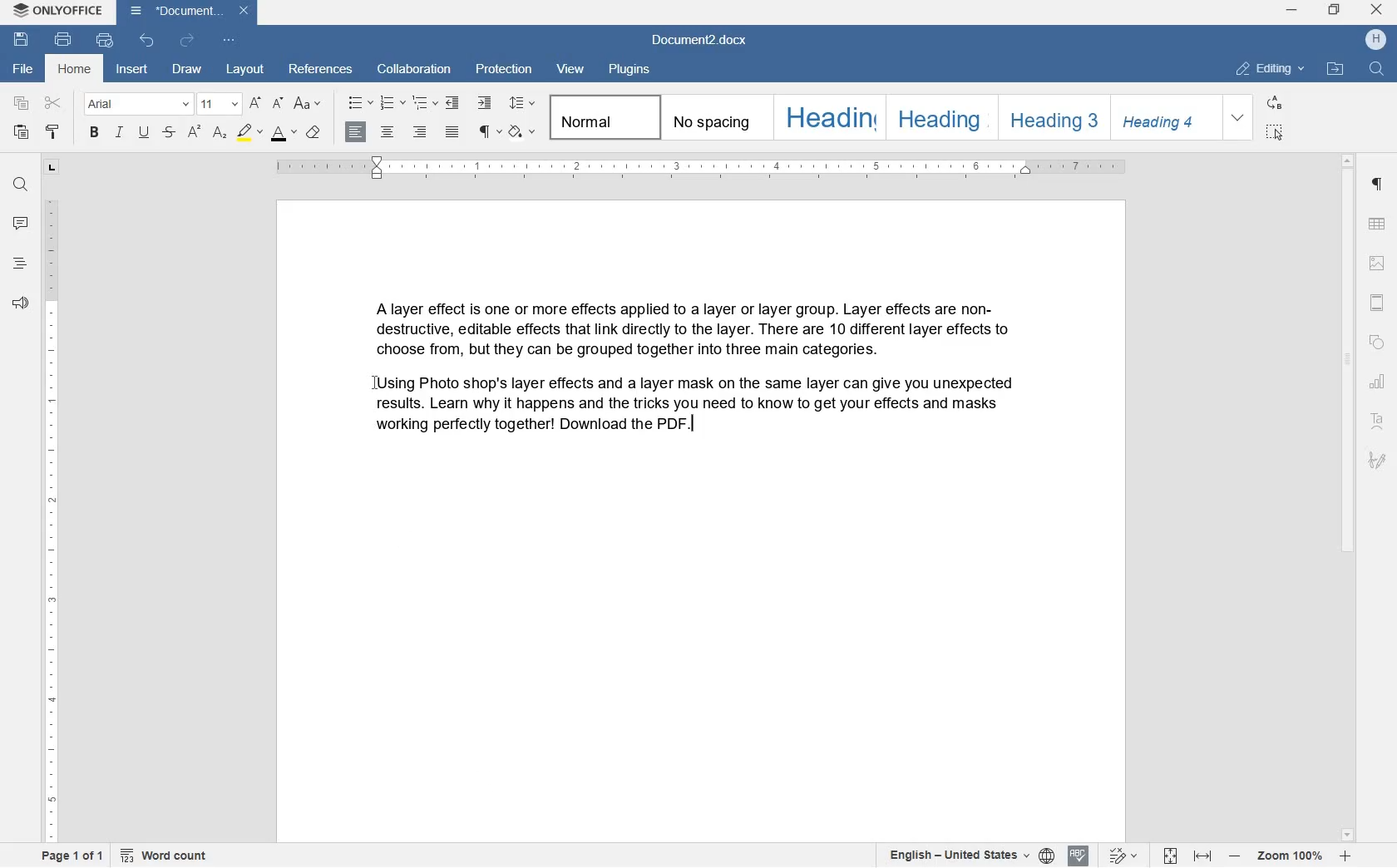 This screenshot has width=1397, height=868. What do you see at coordinates (1123, 856) in the screenshot?
I see `TRACK CHANGES` at bounding box center [1123, 856].